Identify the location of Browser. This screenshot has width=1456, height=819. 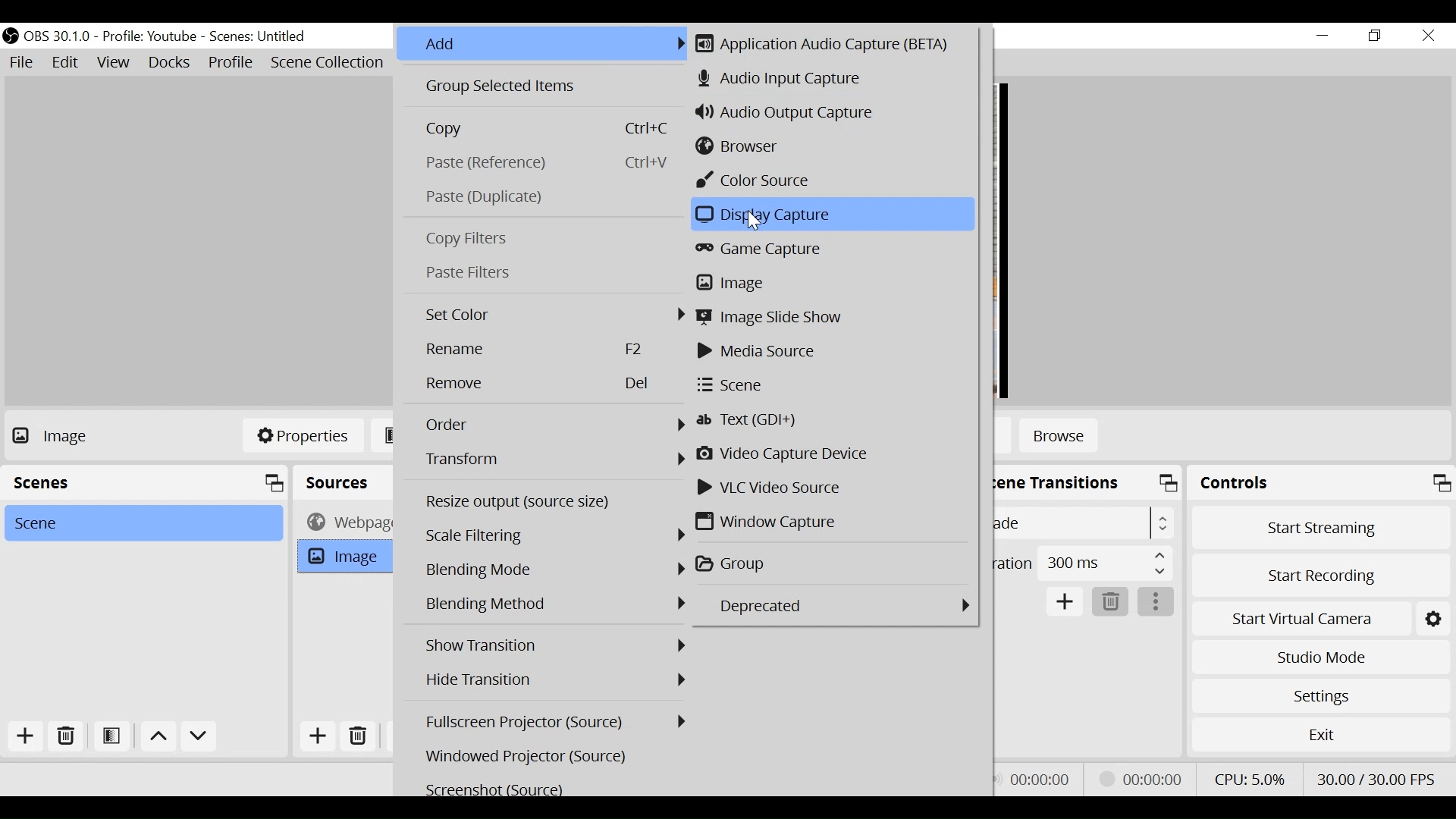
(826, 146).